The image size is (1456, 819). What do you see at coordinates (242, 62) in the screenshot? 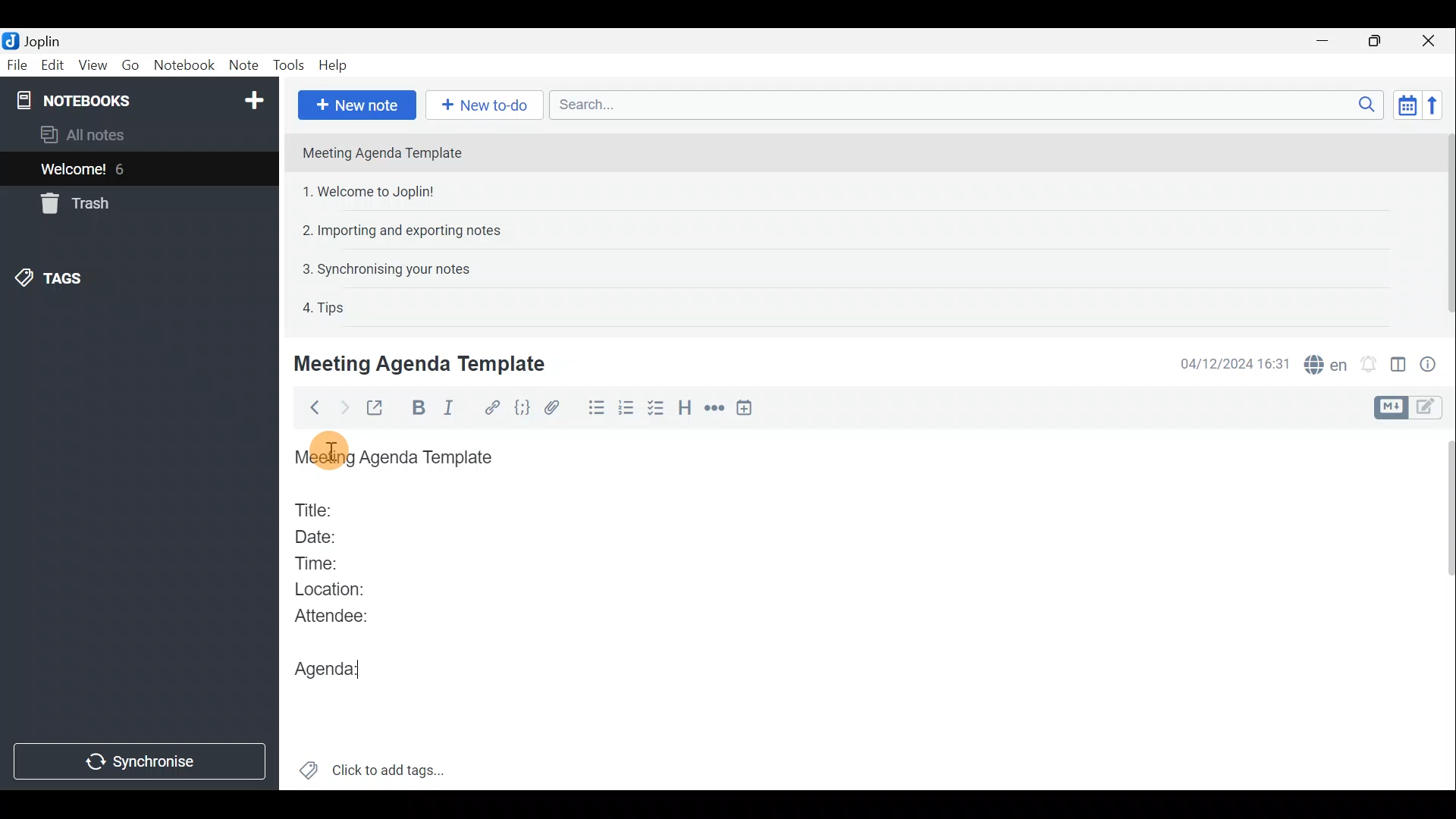
I see `Note` at bounding box center [242, 62].